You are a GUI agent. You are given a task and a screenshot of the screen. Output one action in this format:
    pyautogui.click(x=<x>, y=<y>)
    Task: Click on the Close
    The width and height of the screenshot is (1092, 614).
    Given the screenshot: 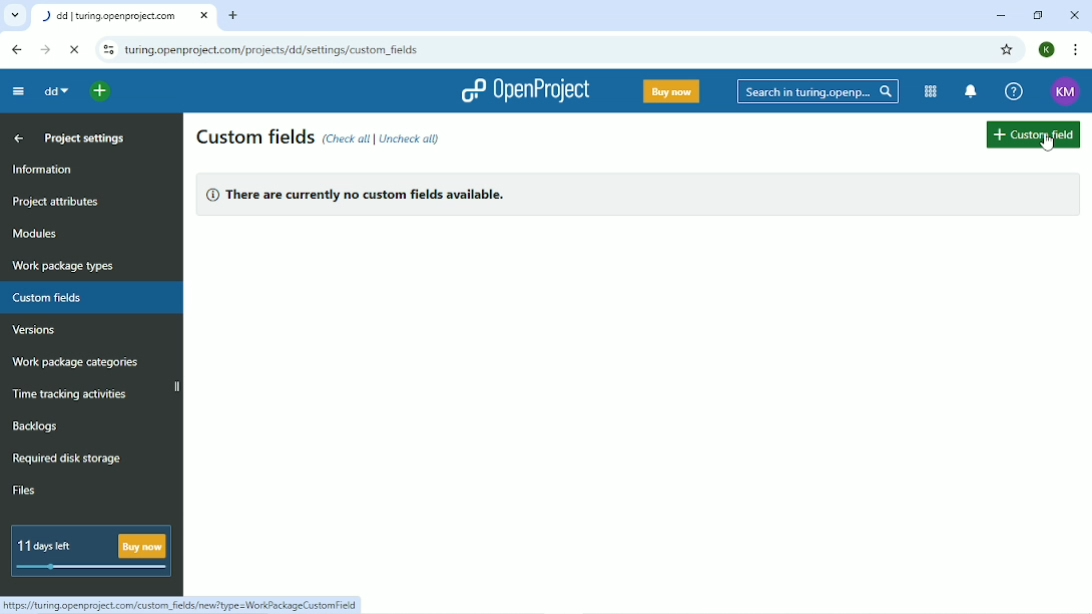 What is the action you would take?
    pyautogui.click(x=1075, y=15)
    